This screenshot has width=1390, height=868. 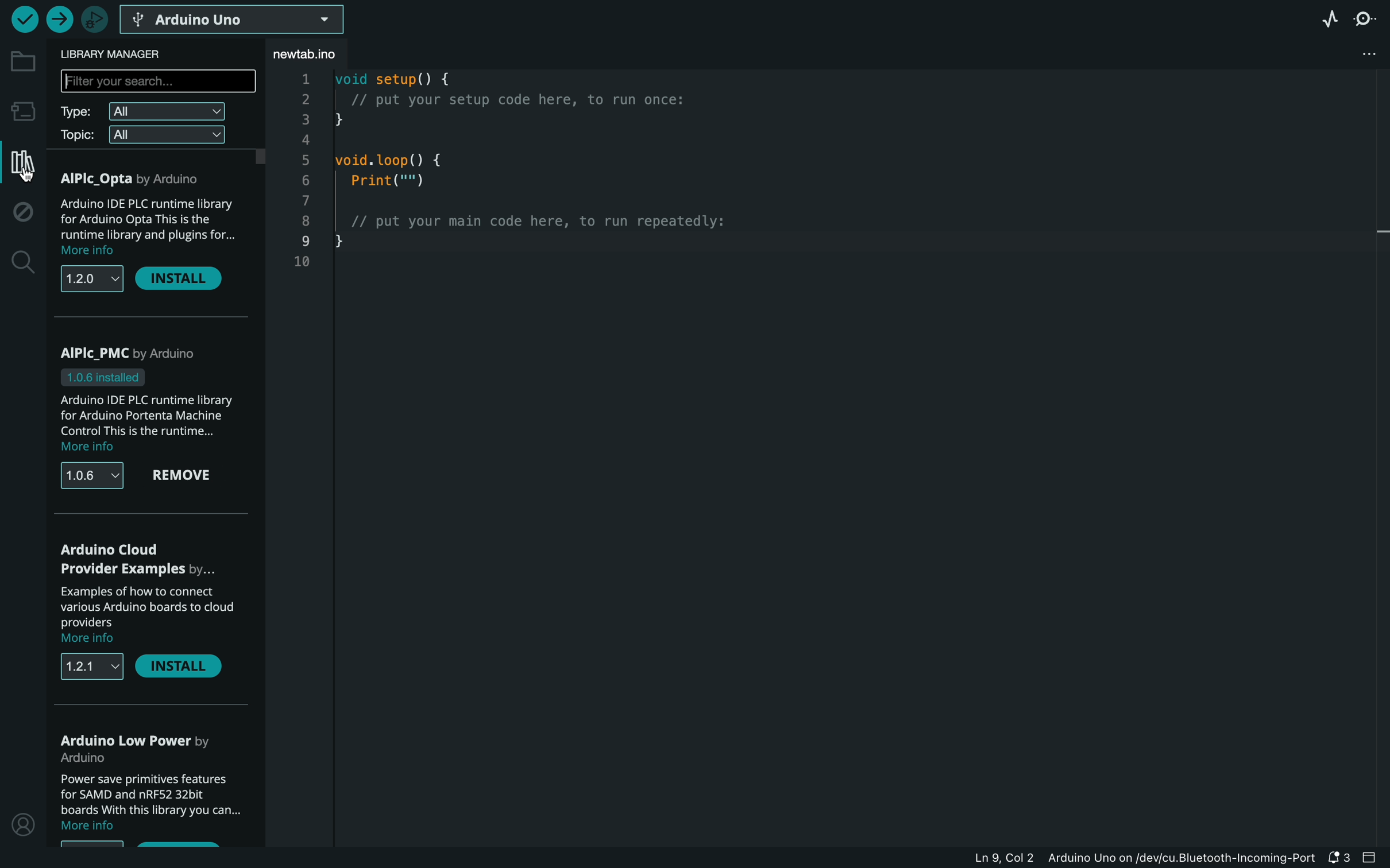 I want to click on install, so click(x=186, y=280).